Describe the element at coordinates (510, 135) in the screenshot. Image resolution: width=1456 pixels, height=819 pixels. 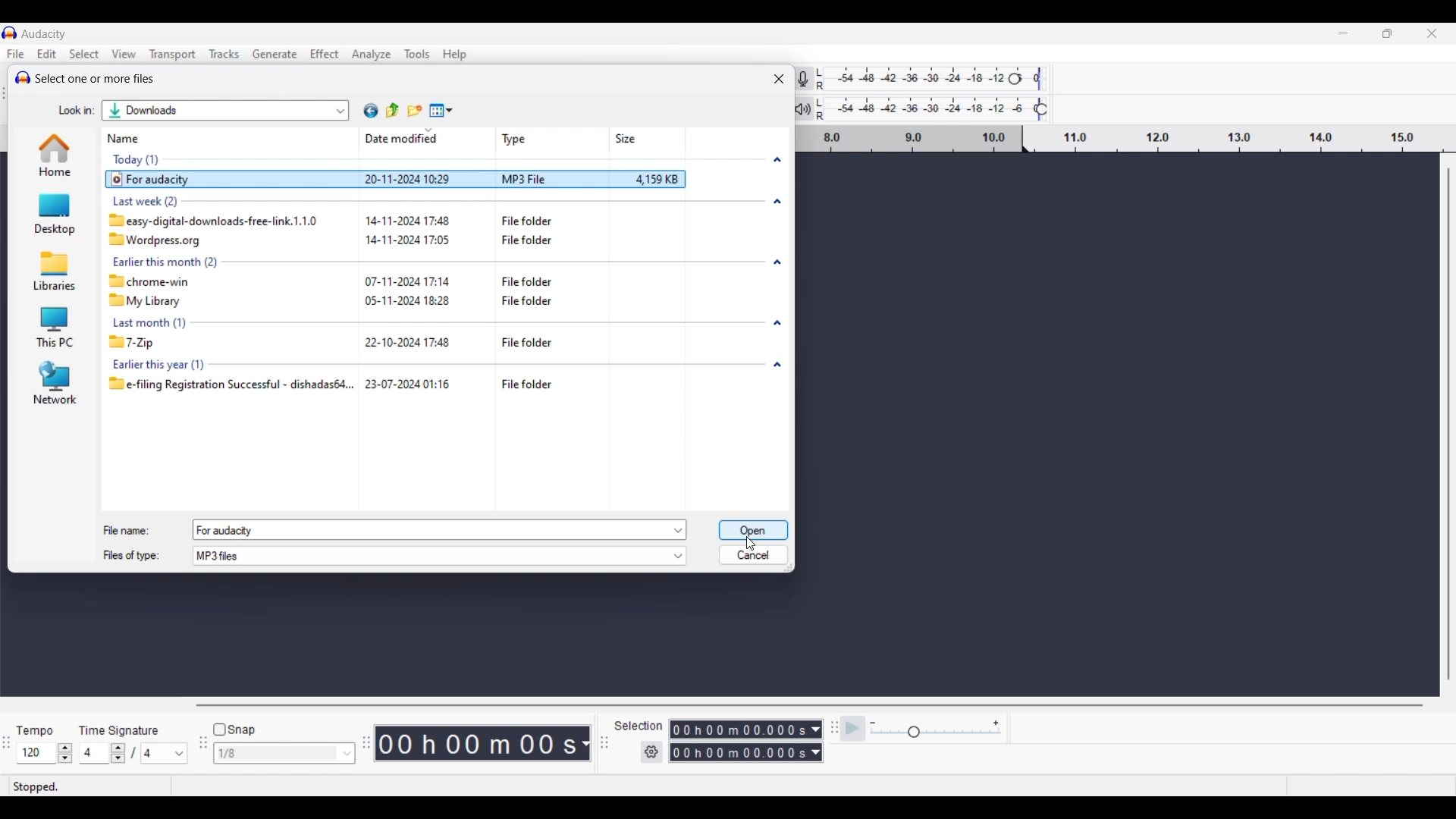
I see `Type` at that location.